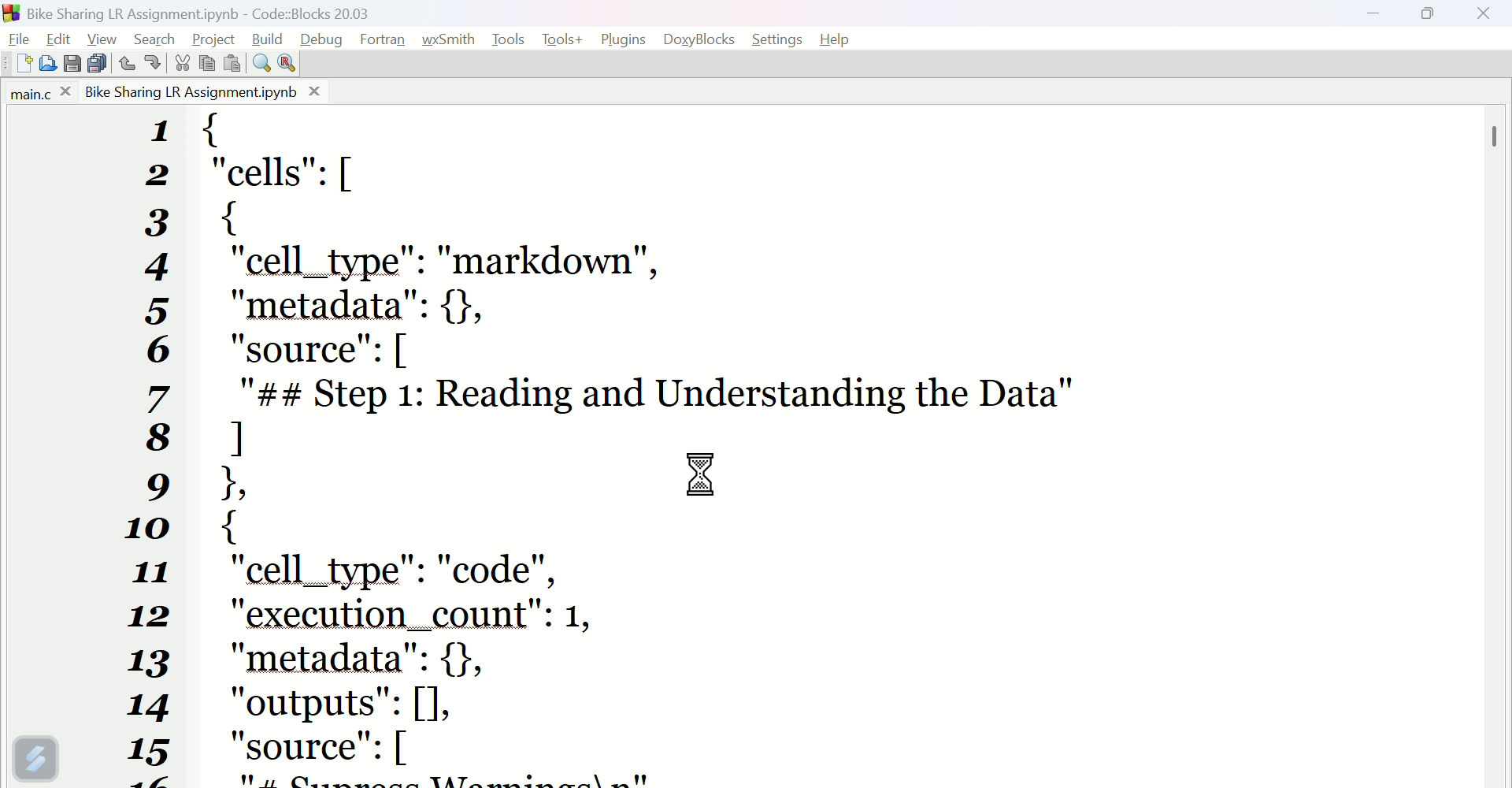  I want to click on Main.C, so click(37, 94).